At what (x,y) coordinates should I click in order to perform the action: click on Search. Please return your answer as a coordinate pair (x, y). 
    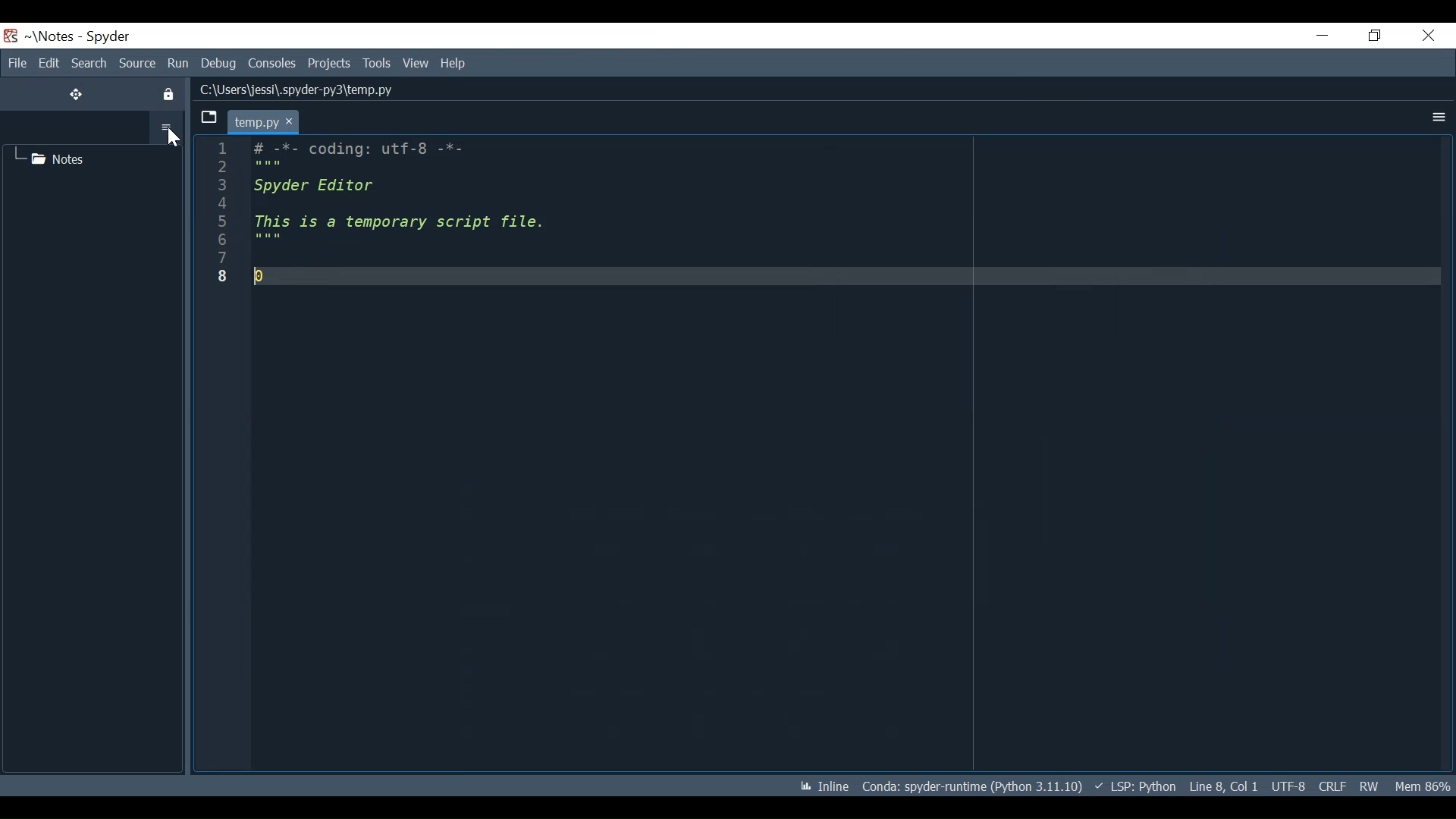
    Looking at the image, I should click on (89, 63).